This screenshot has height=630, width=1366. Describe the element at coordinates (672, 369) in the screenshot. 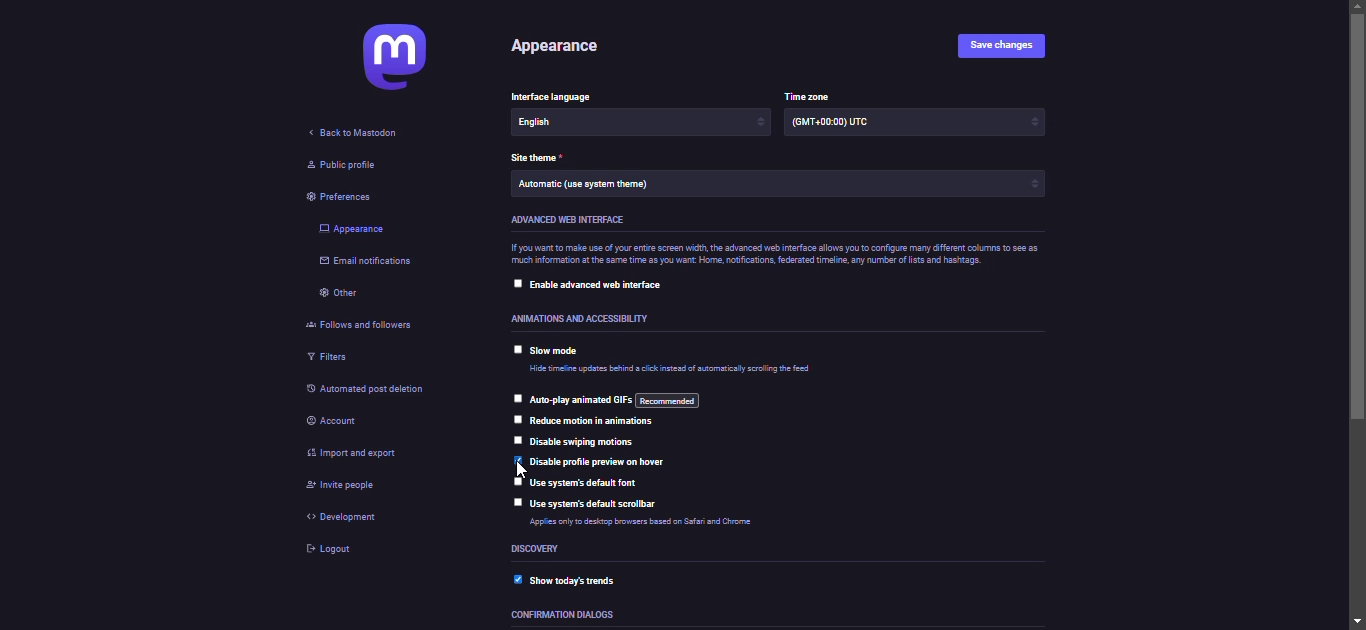

I see `info` at that location.